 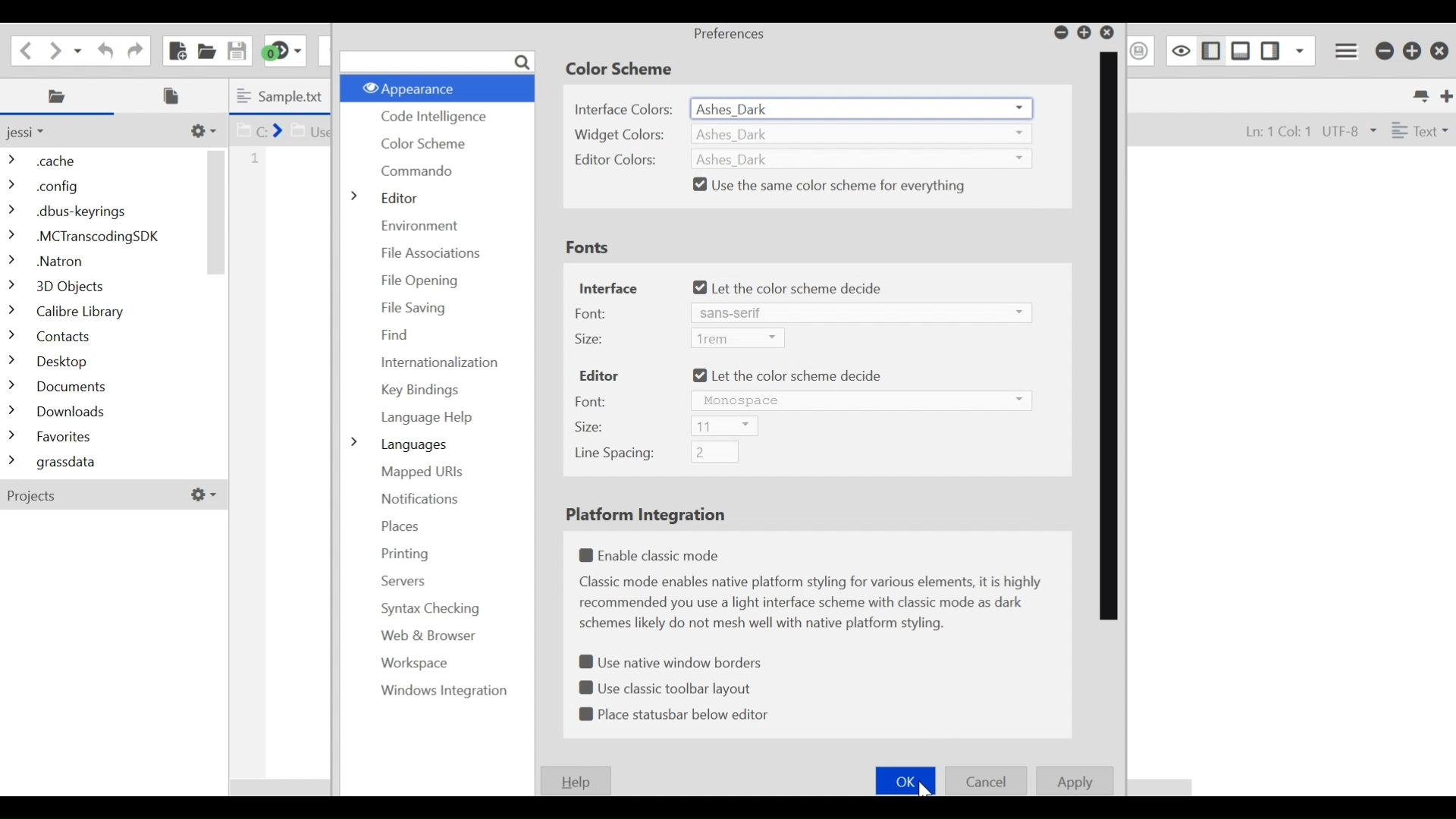 What do you see at coordinates (609, 287) in the screenshot?
I see `Interface` at bounding box center [609, 287].